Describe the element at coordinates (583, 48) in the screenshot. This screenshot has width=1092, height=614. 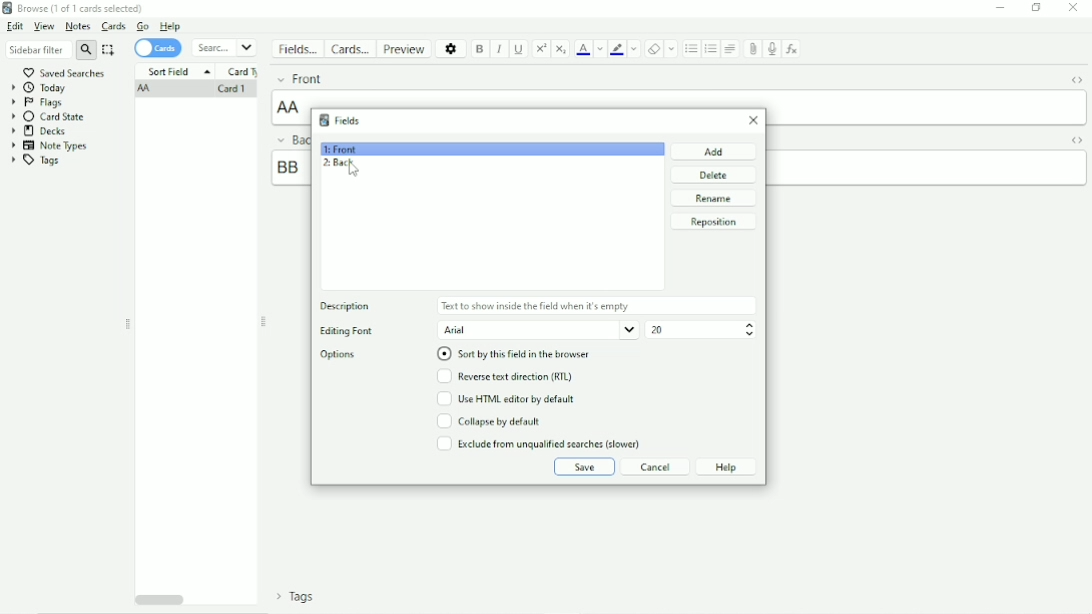
I see `Text color` at that location.